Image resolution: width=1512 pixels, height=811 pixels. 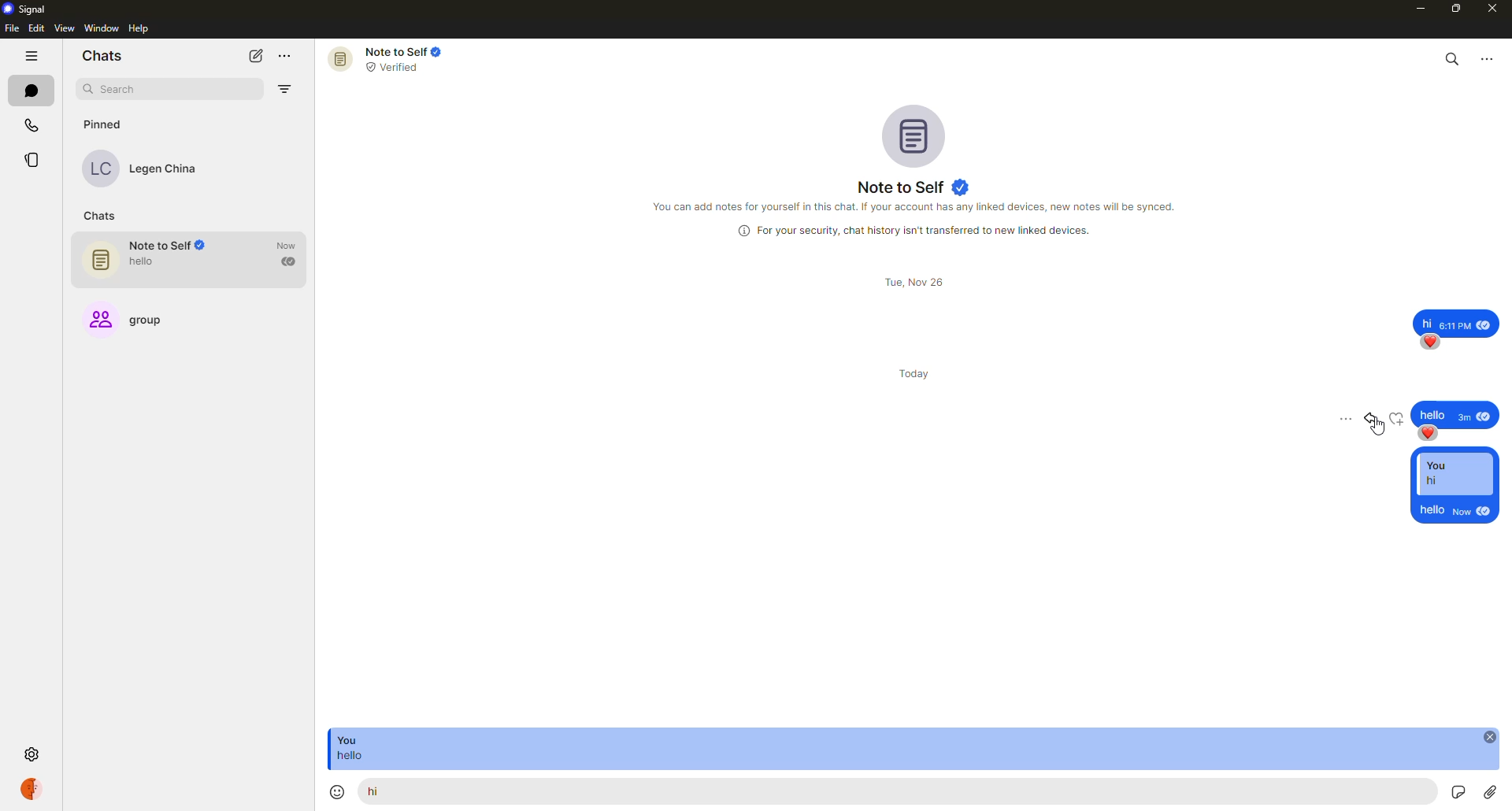 I want to click on hide tabs, so click(x=33, y=56).